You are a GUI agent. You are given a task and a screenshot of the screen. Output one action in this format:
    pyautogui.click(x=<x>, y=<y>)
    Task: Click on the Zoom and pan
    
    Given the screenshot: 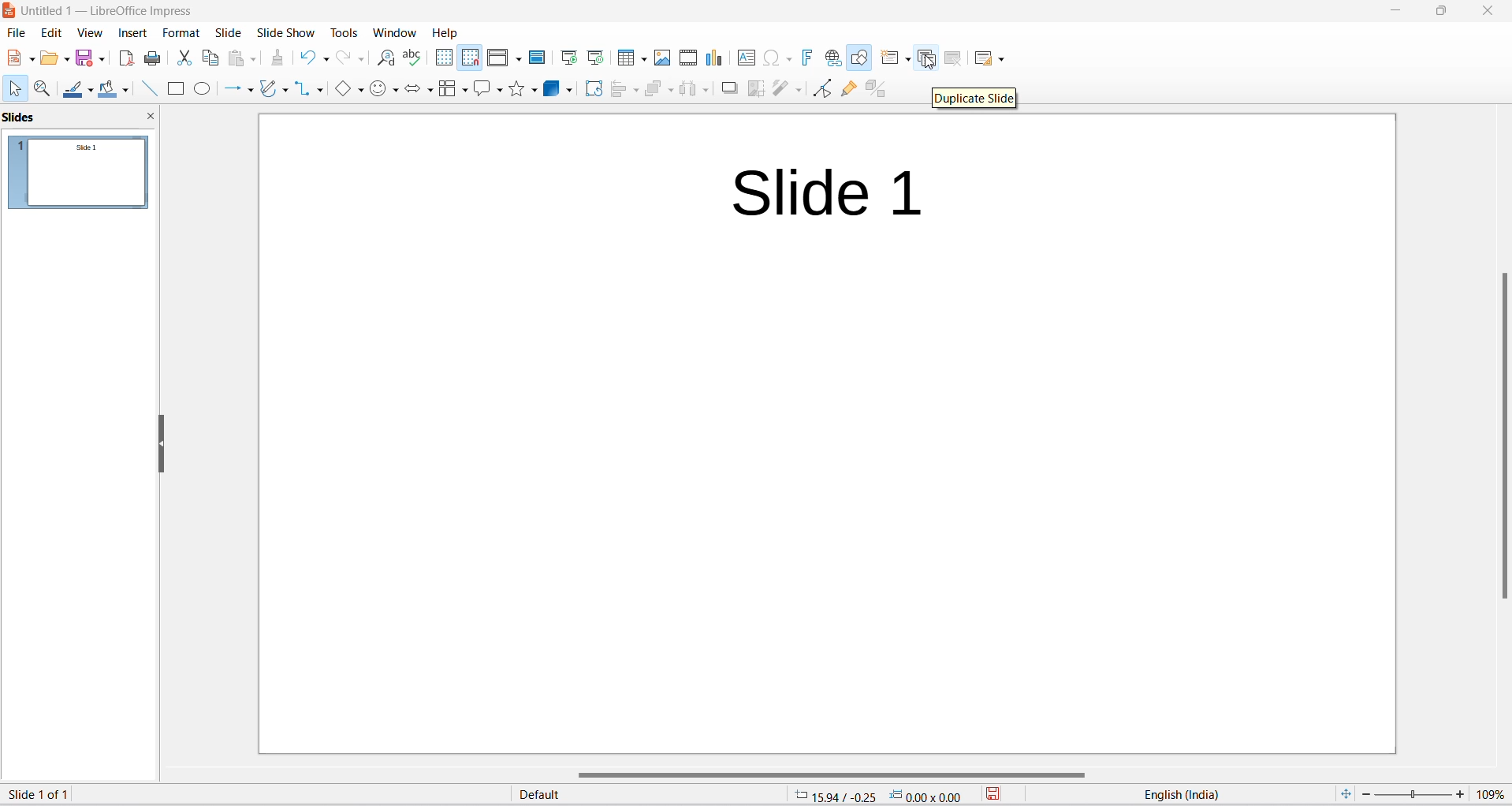 What is the action you would take?
    pyautogui.click(x=43, y=89)
    